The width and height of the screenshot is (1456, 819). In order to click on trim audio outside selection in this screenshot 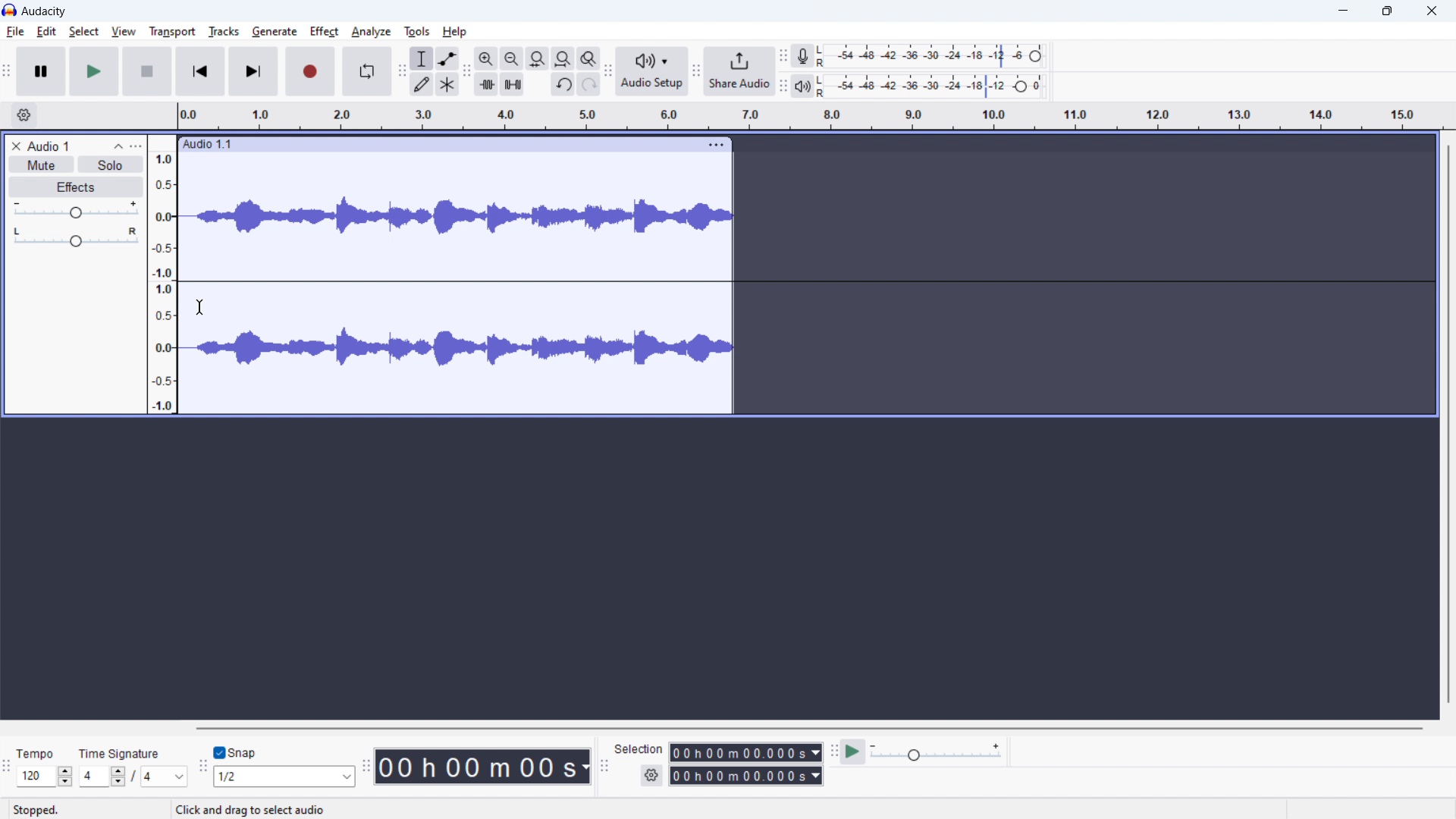, I will do `click(486, 83)`.